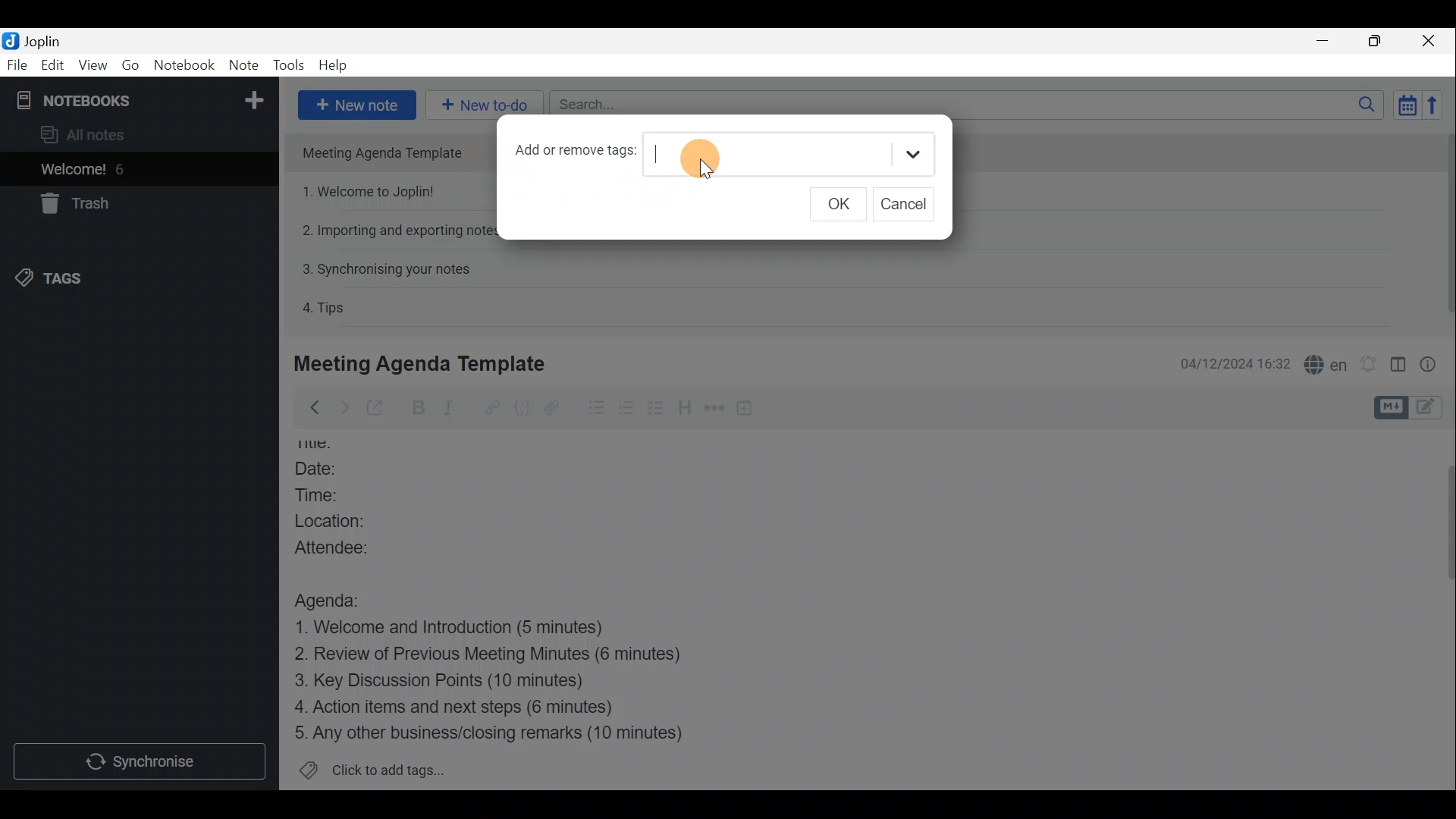  What do you see at coordinates (653, 409) in the screenshot?
I see `Checkbox` at bounding box center [653, 409].